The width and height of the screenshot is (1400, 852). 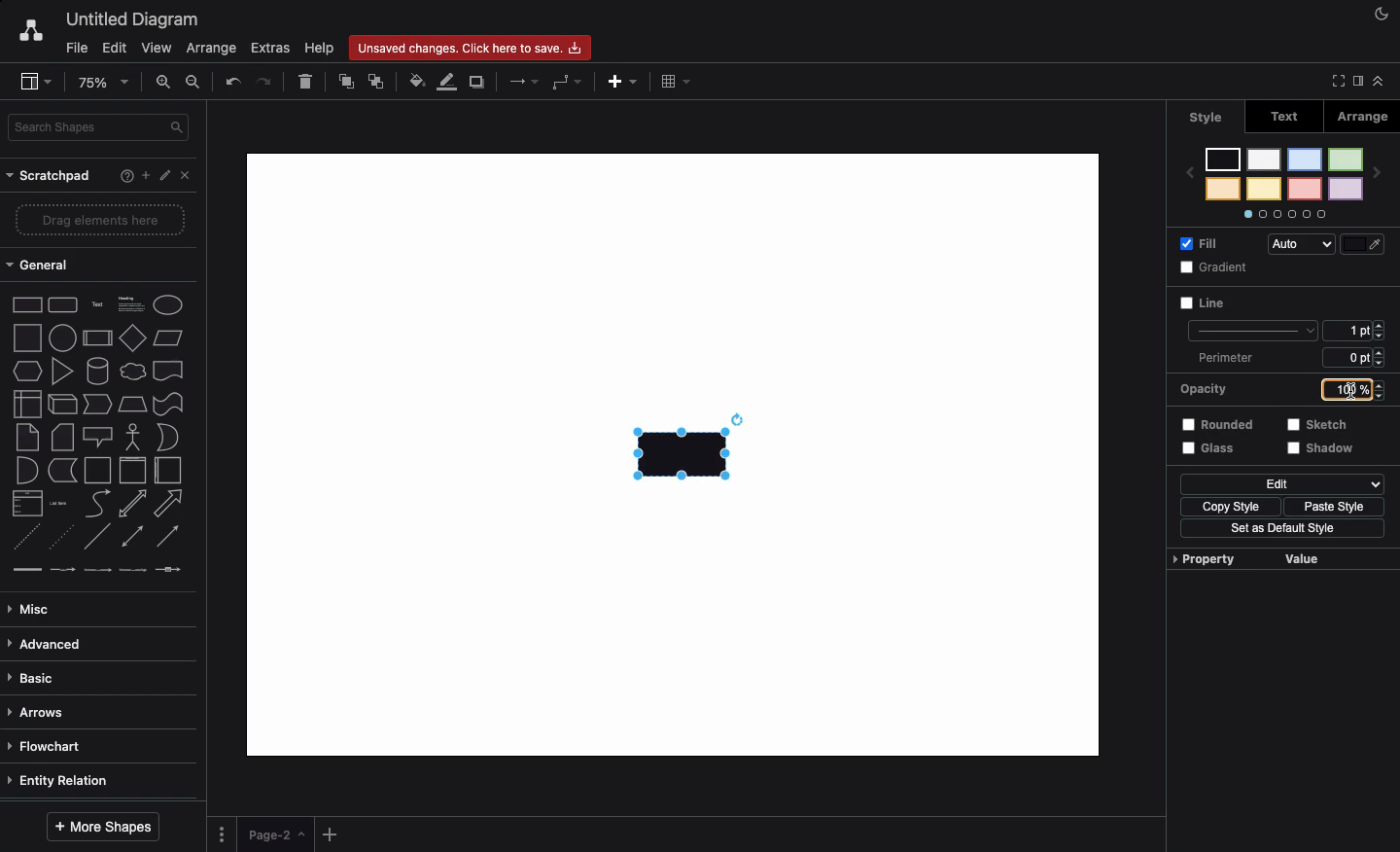 I want to click on Heading, so click(x=130, y=307).